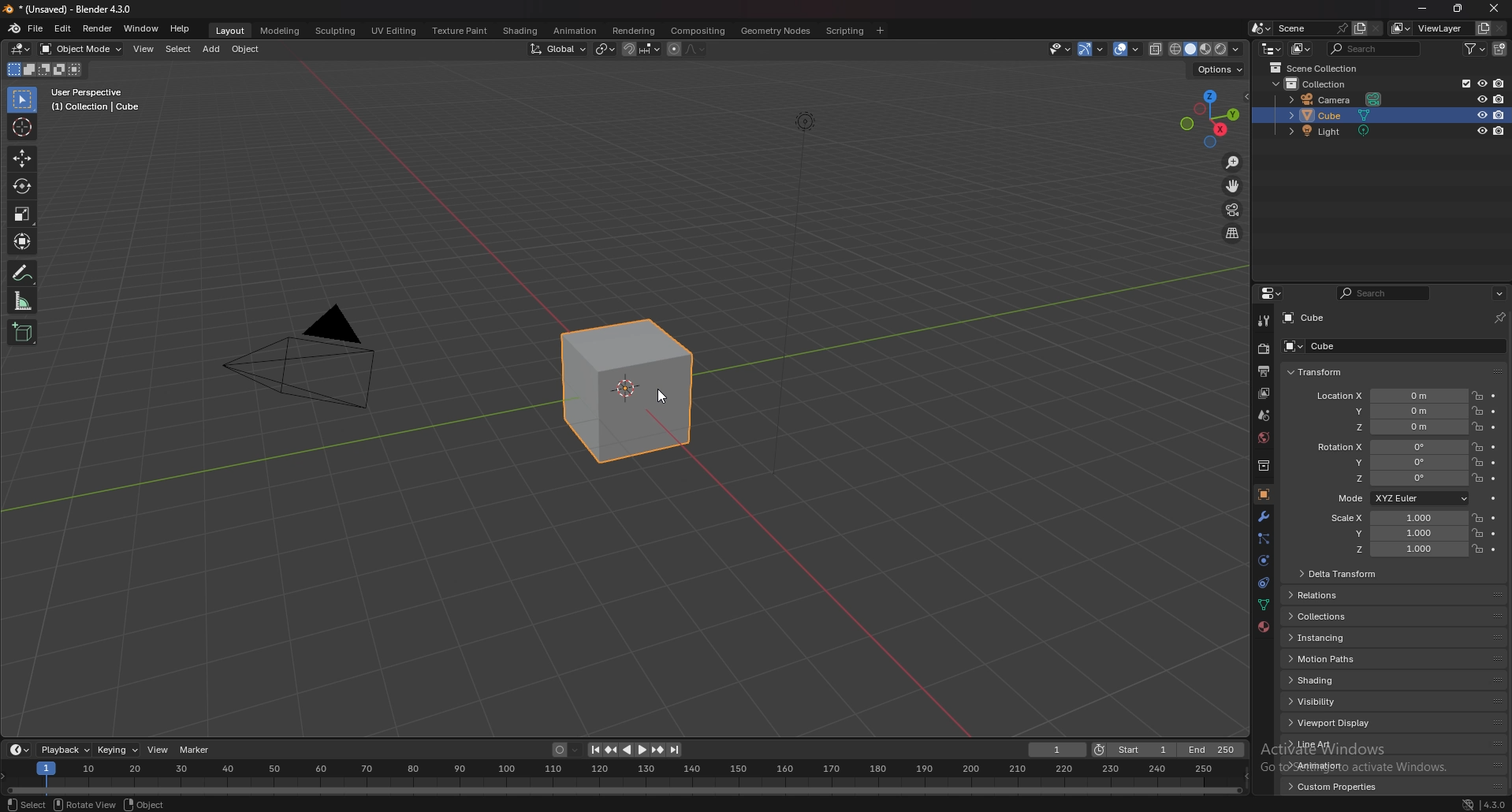 This screenshot has width=1512, height=812. What do you see at coordinates (1390, 464) in the screenshot?
I see `rotation y` at bounding box center [1390, 464].